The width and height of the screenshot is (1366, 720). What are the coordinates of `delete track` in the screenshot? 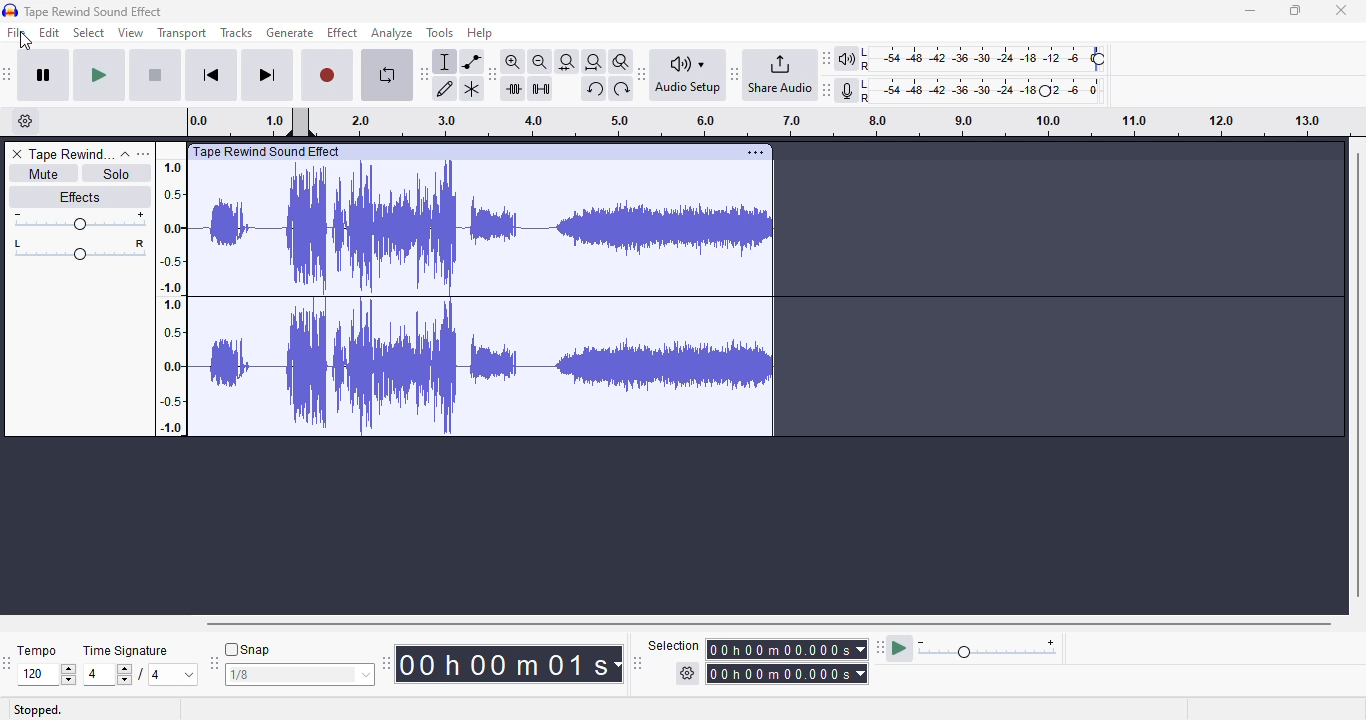 It's located at (15, 154).